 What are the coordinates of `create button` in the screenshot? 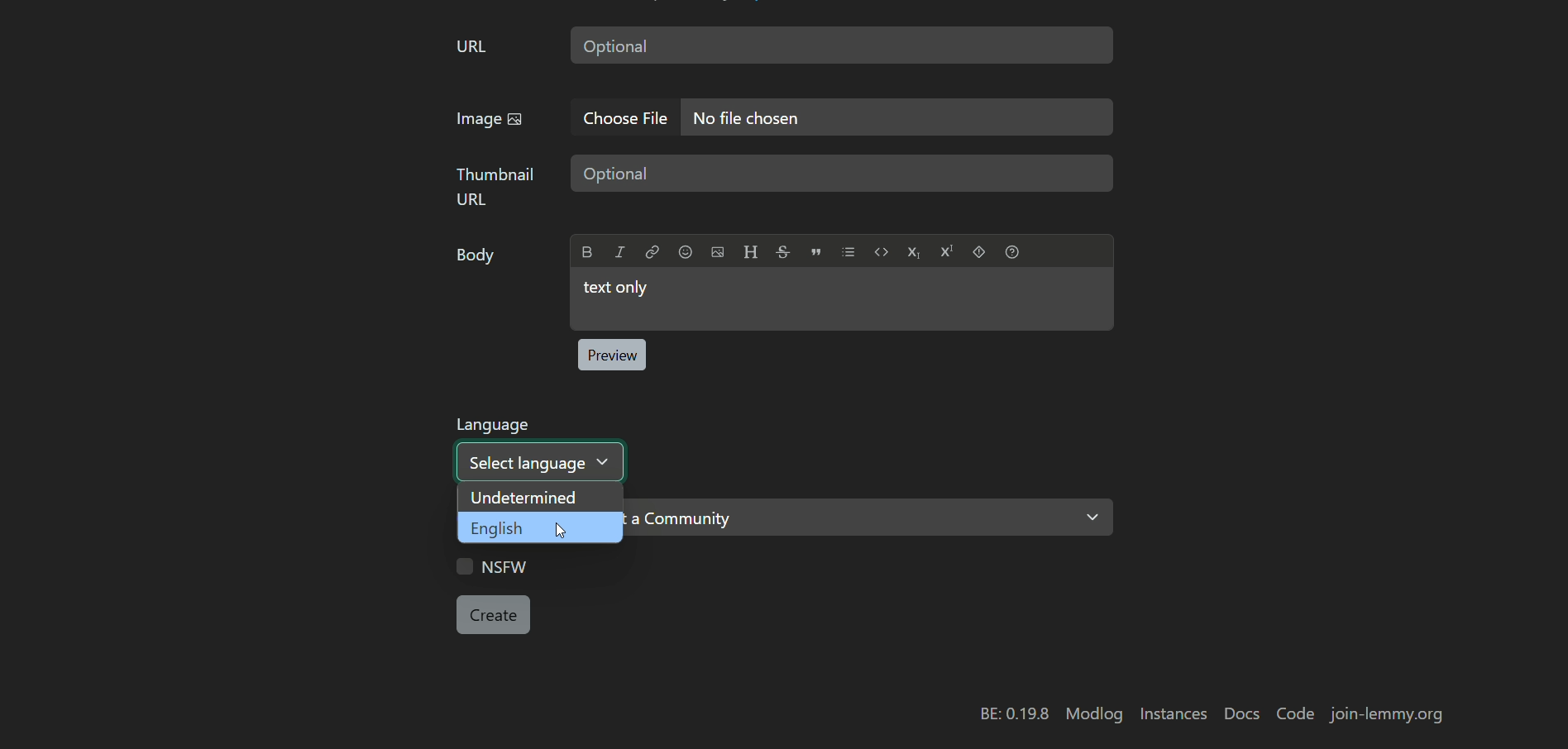 It's located at (494, 615).